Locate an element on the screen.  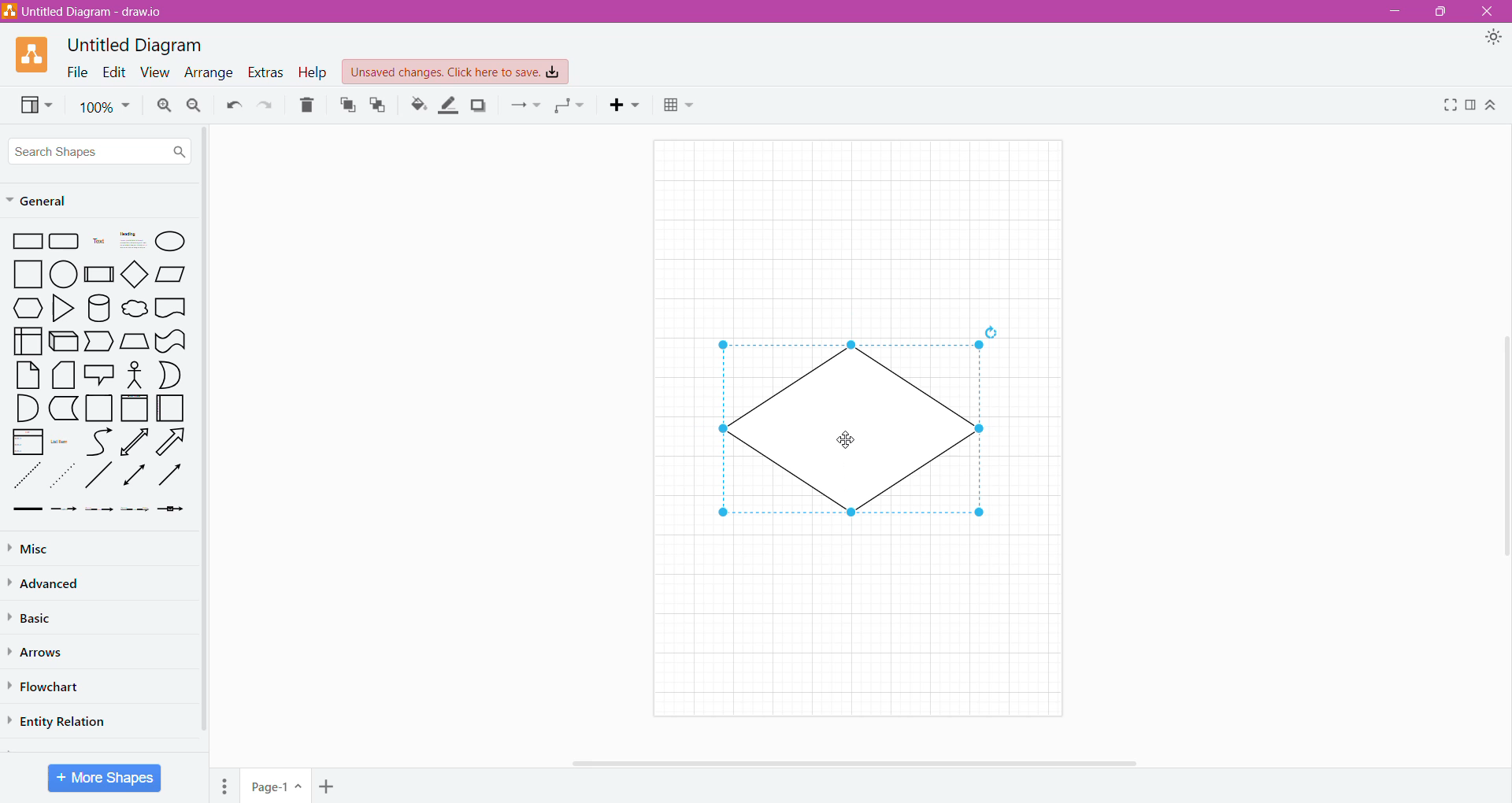
Close is located at coordinates (1489, 12).